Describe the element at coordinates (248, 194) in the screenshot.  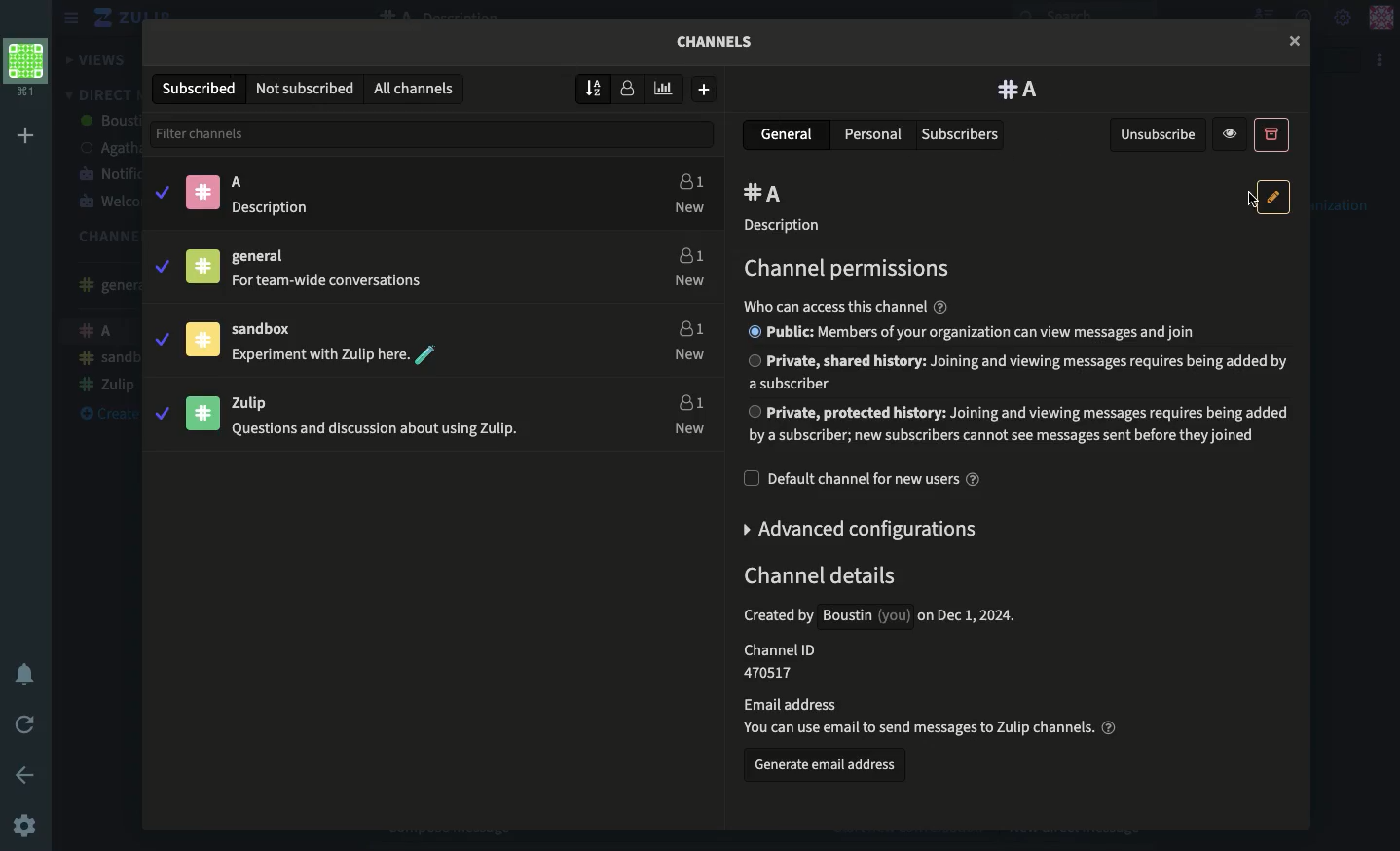
I see `A` at that location.